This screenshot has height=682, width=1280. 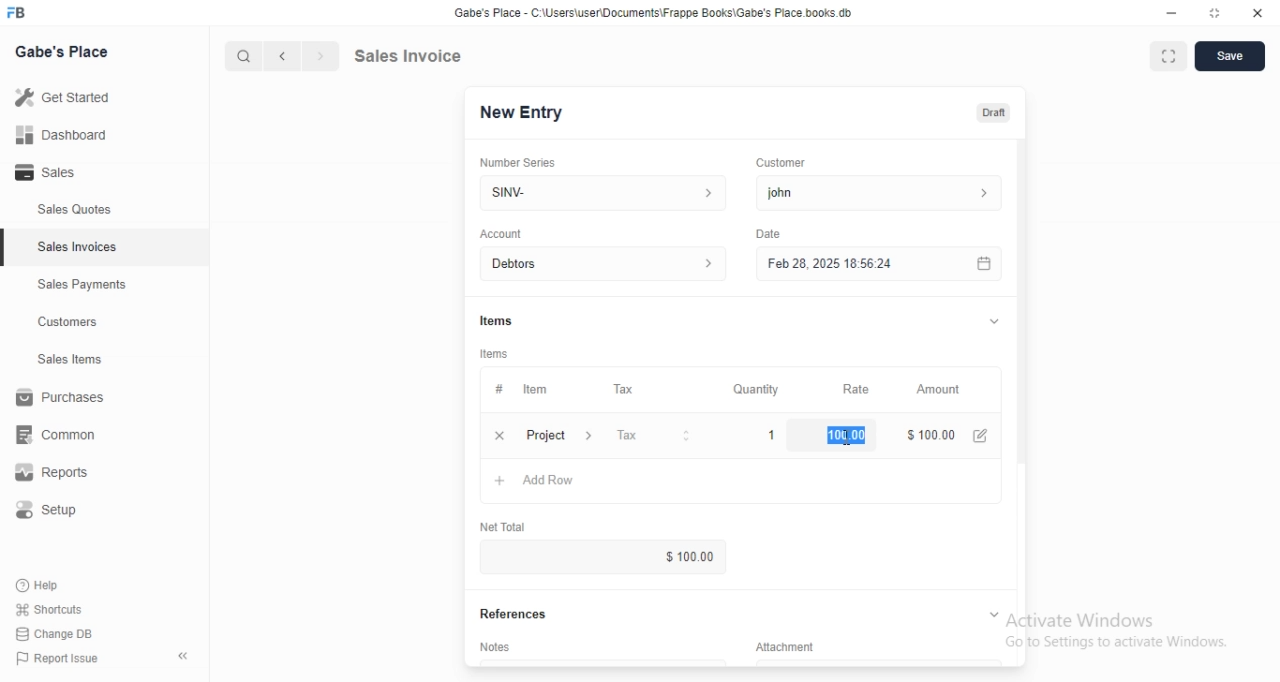 What do you see at coordinates (185, 656) in the screenshot?
I see `collapse` at bounding box center [185, 656].